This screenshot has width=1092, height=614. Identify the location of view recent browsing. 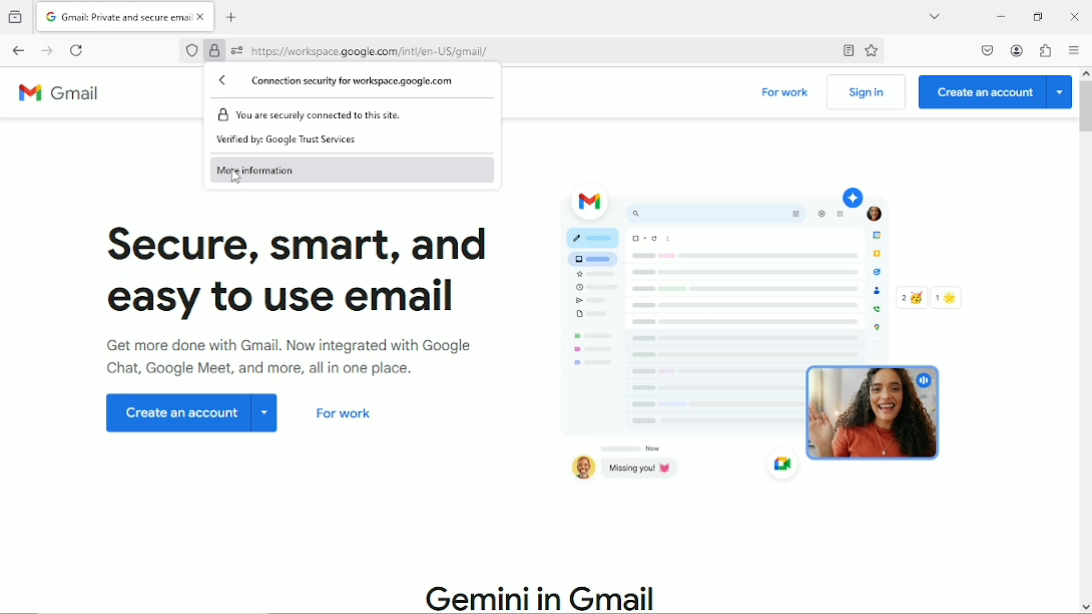
(19, 15).